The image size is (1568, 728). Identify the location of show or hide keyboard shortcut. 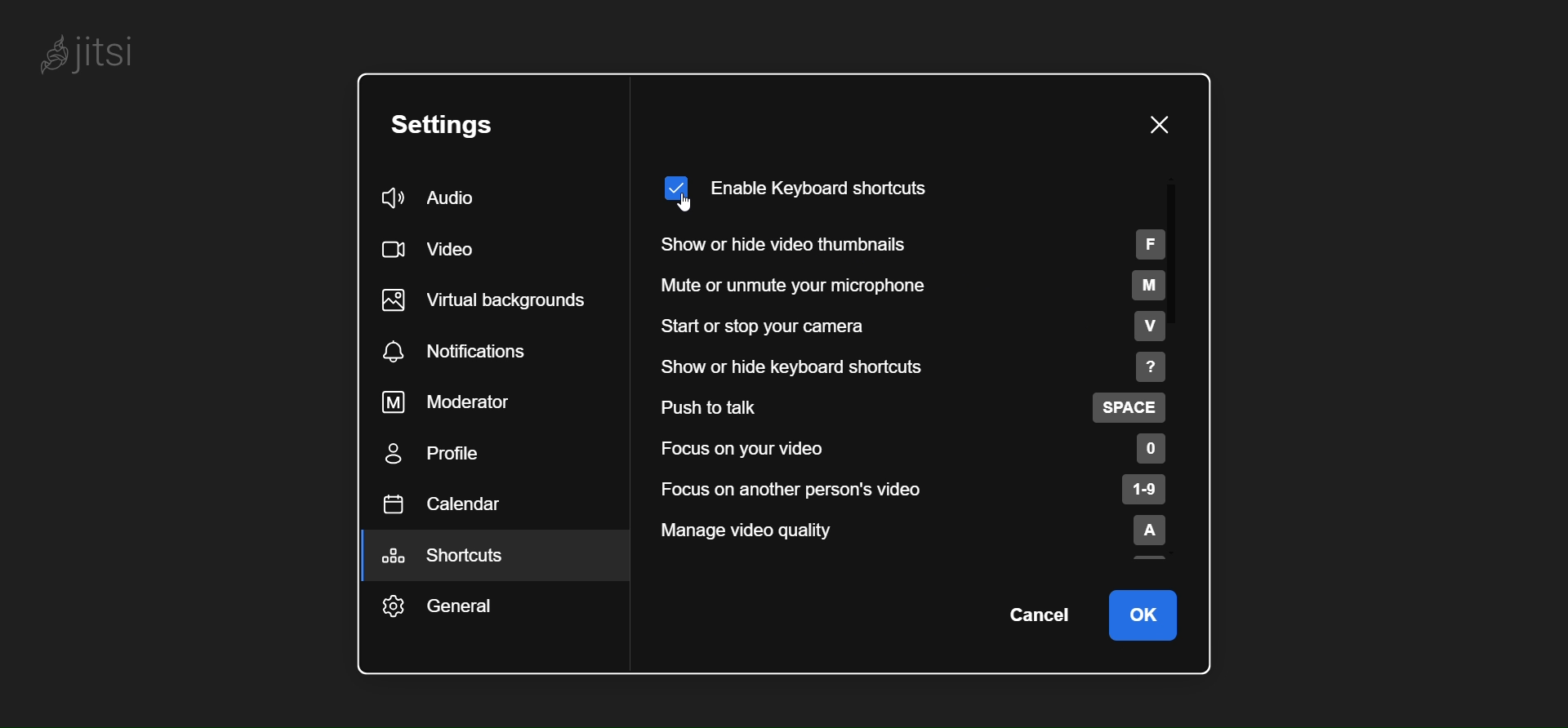
(915, 366).